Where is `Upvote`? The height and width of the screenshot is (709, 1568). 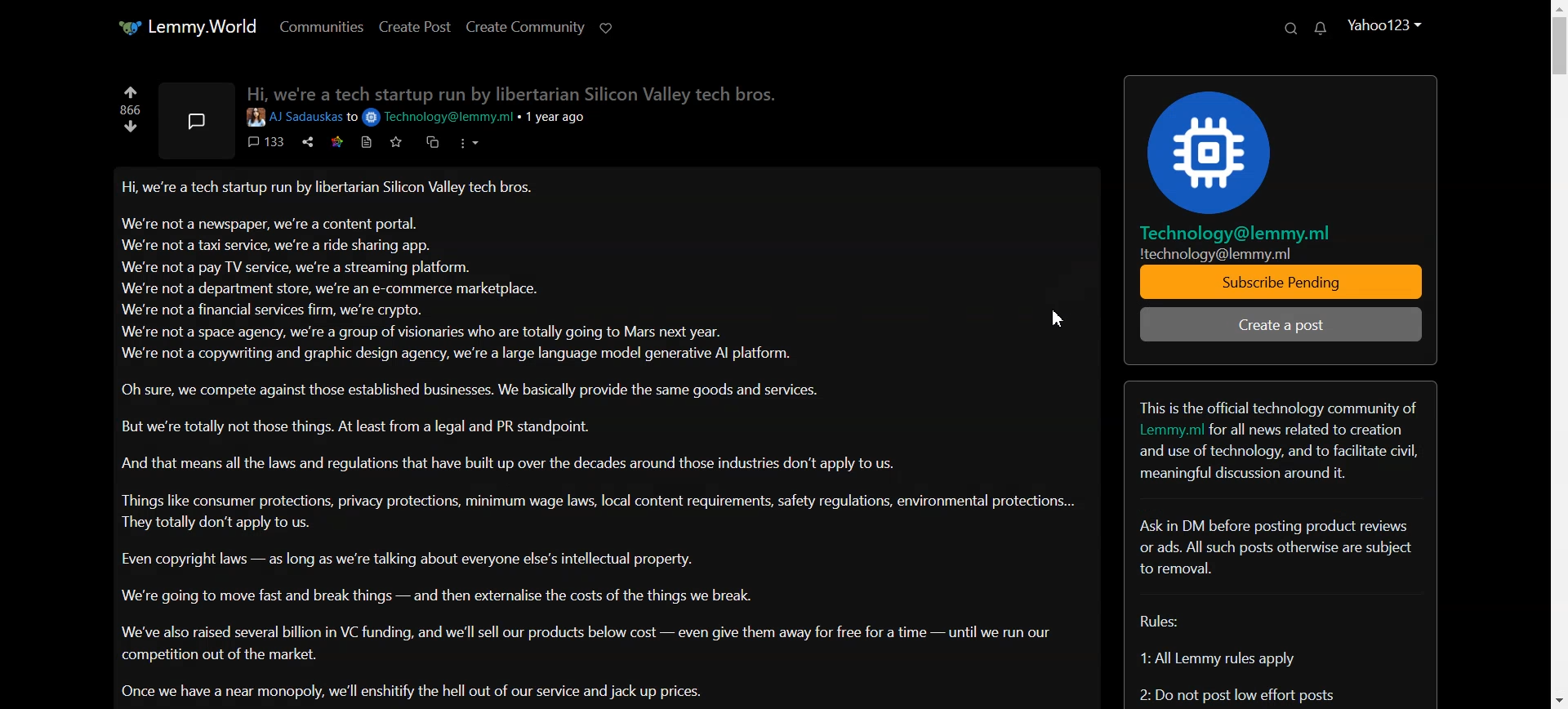 Upvote is located at coordinates (131, 91).